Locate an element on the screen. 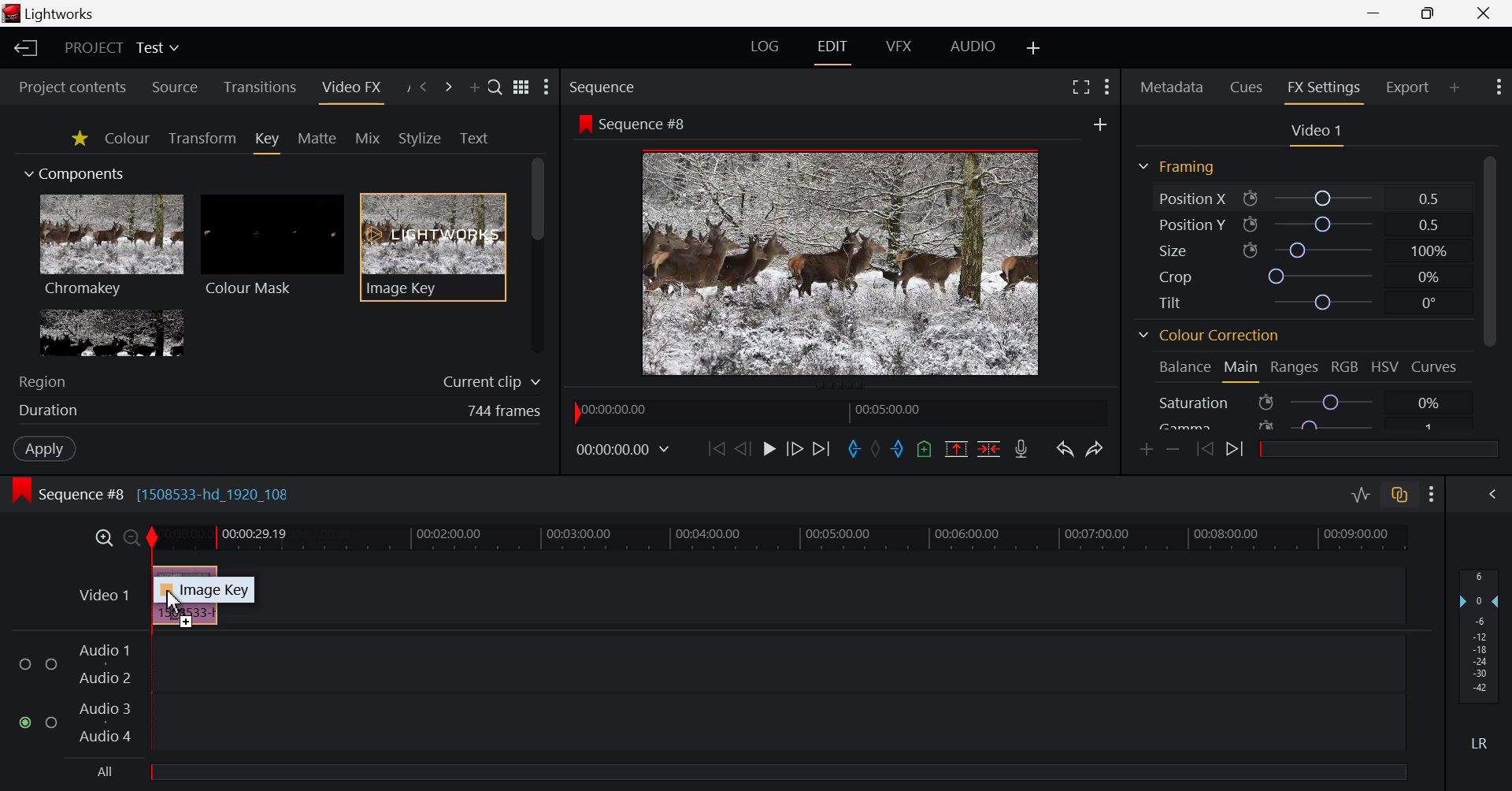 The width and height of the screenshot is (1512, 791). Audio Input Field is located at coordinates (775, 691).